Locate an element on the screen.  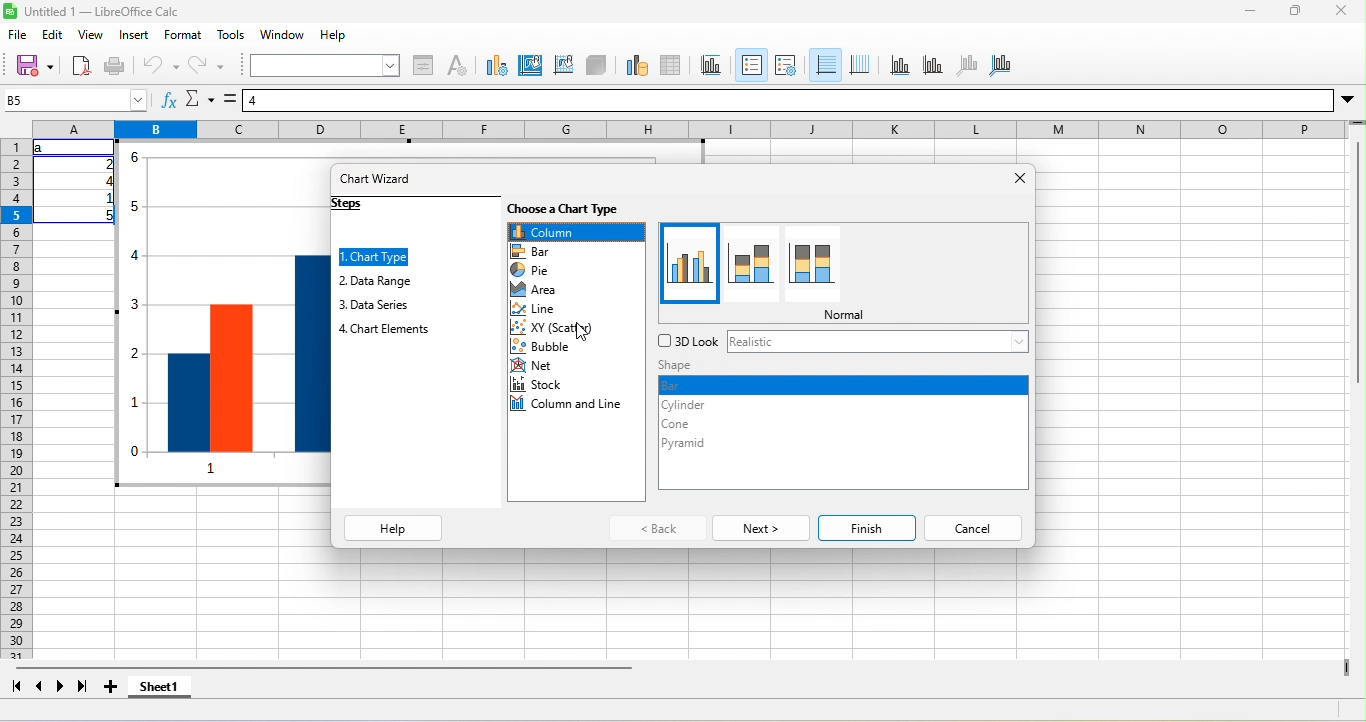
1 is located at coordinates (105, 198).